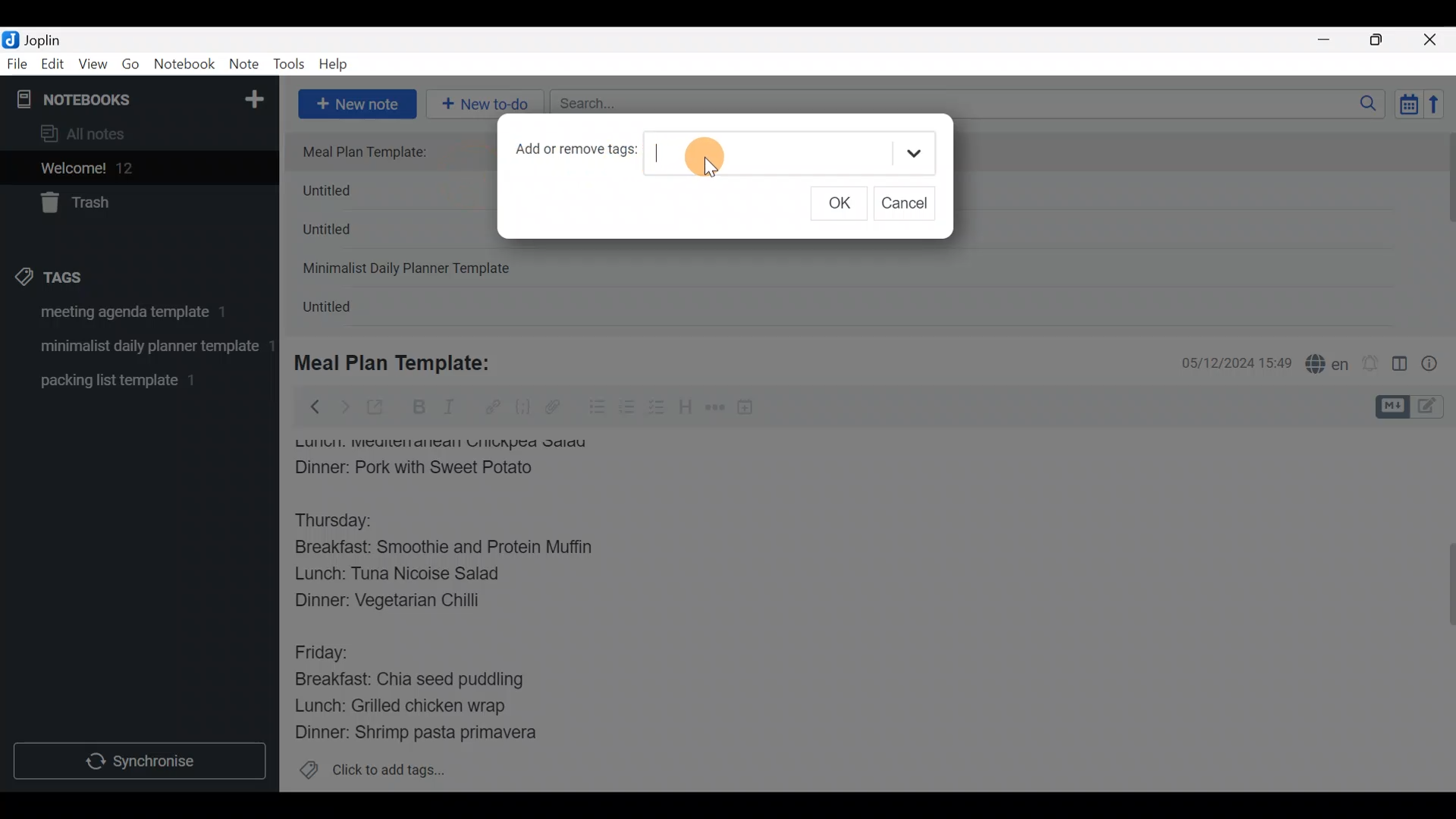 Image resolution: width=1456 pixels, height=819 pixels. I want to click on Scroll bar, so click(1440, 610).